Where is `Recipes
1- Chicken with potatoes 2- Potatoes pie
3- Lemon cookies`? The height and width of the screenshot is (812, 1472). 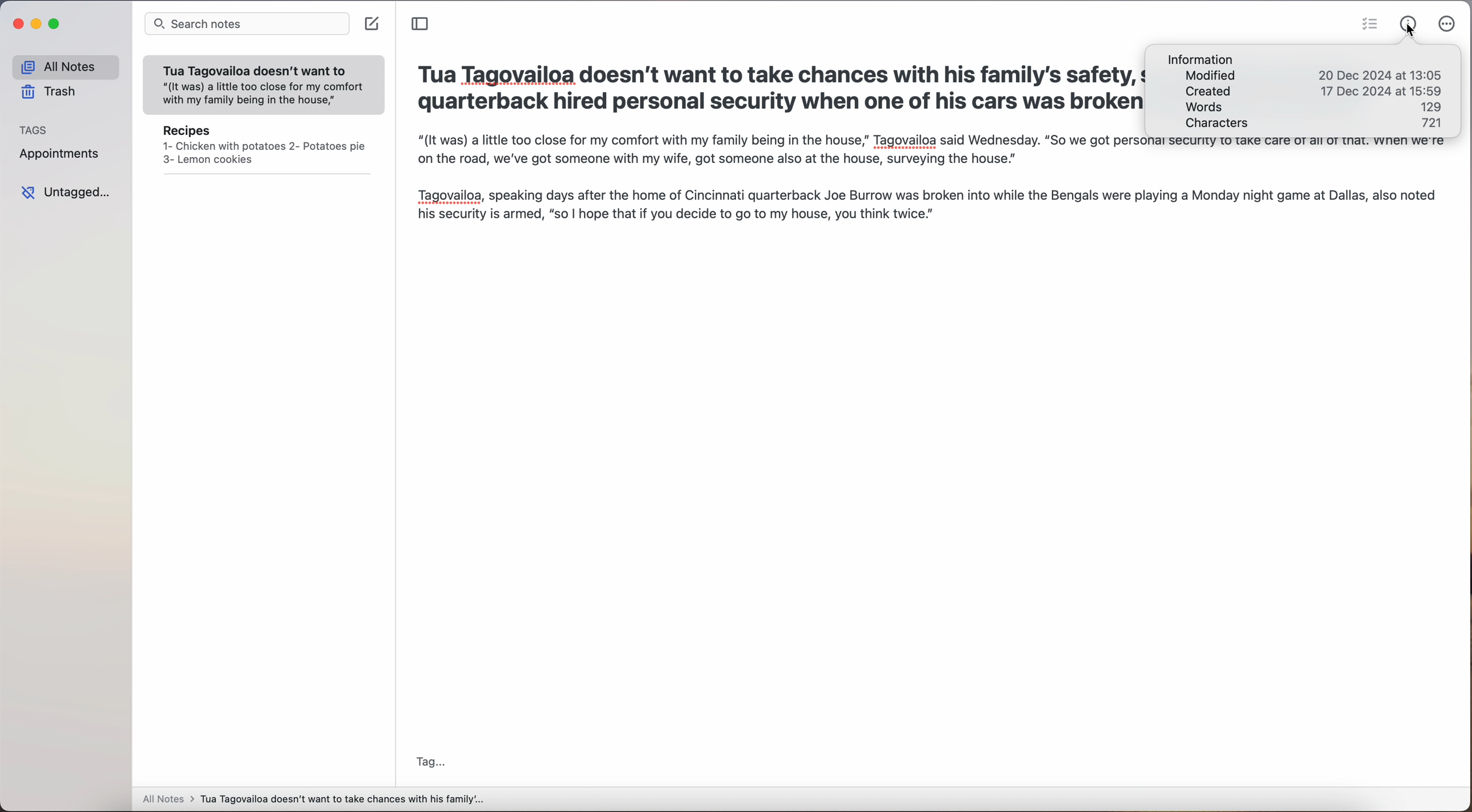 Recipes
1- Chicken with potatoes 2- Potatoes pie
3- Lemon cookies is located at coordinates (263, 147).